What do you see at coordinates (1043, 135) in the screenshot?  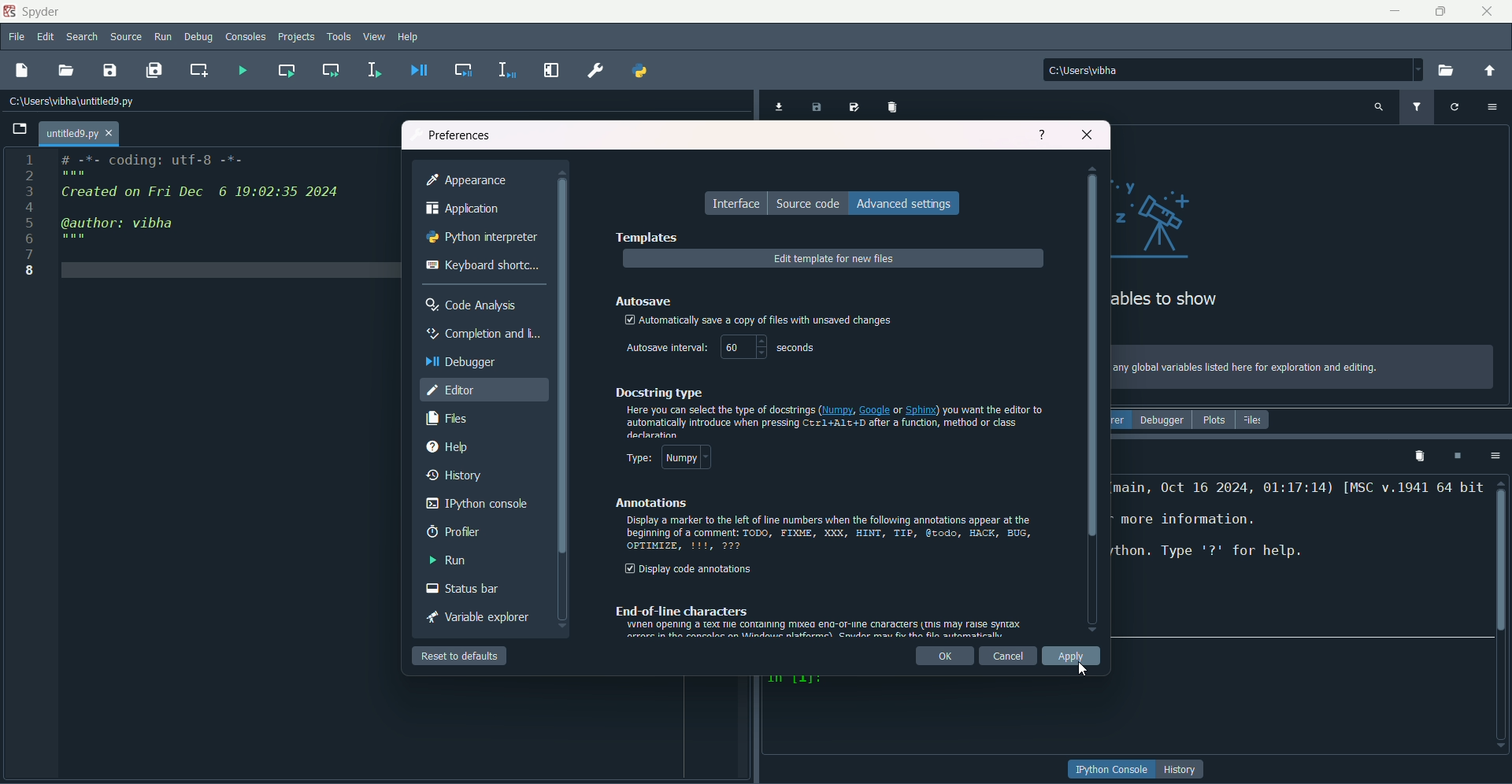 I see `help` at bounding box center [1043, 135].